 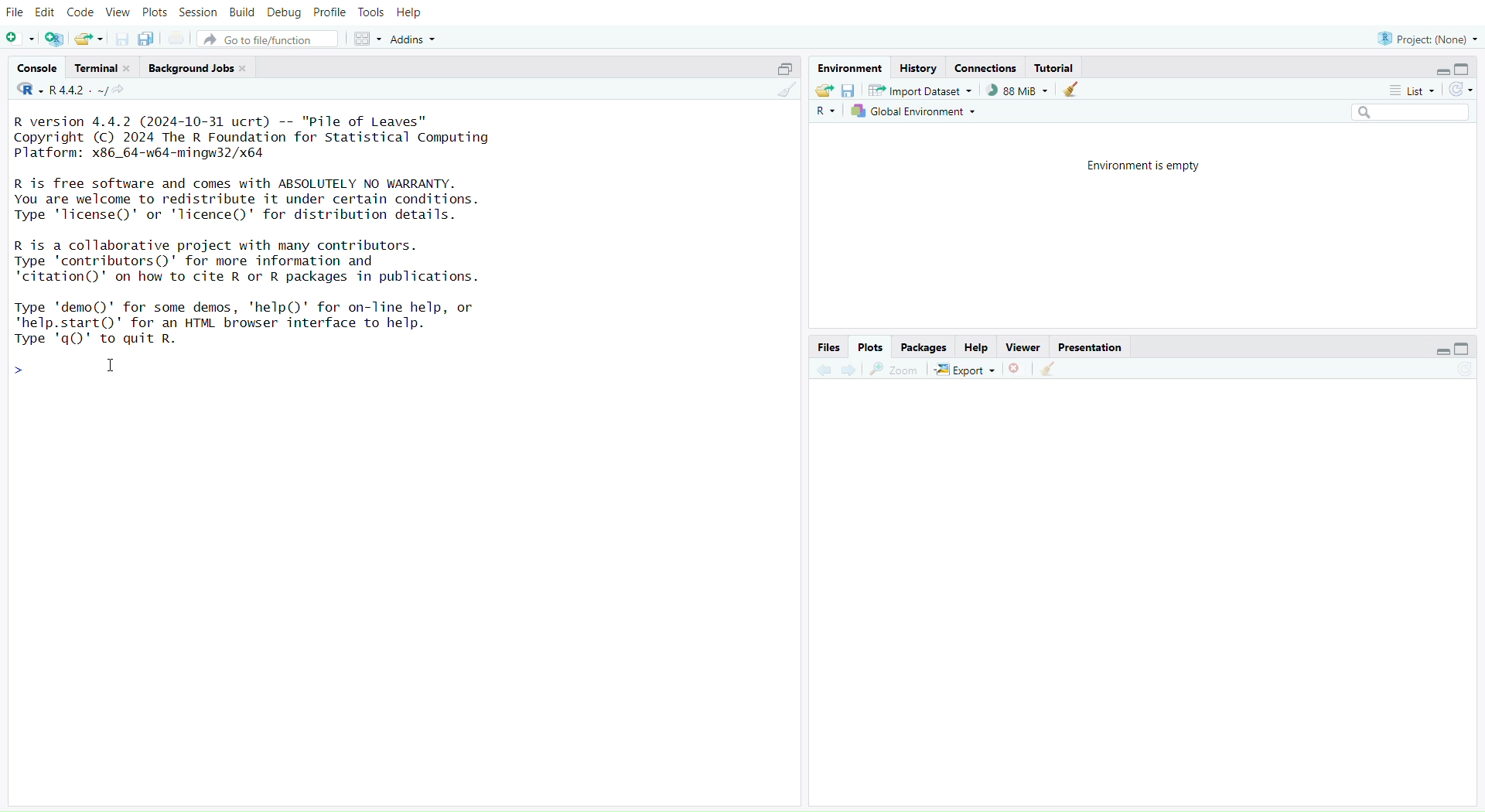 What do you see at coordinates (780, 70) in the screenshot?
I see `expand` at bounding box center [780, 70].